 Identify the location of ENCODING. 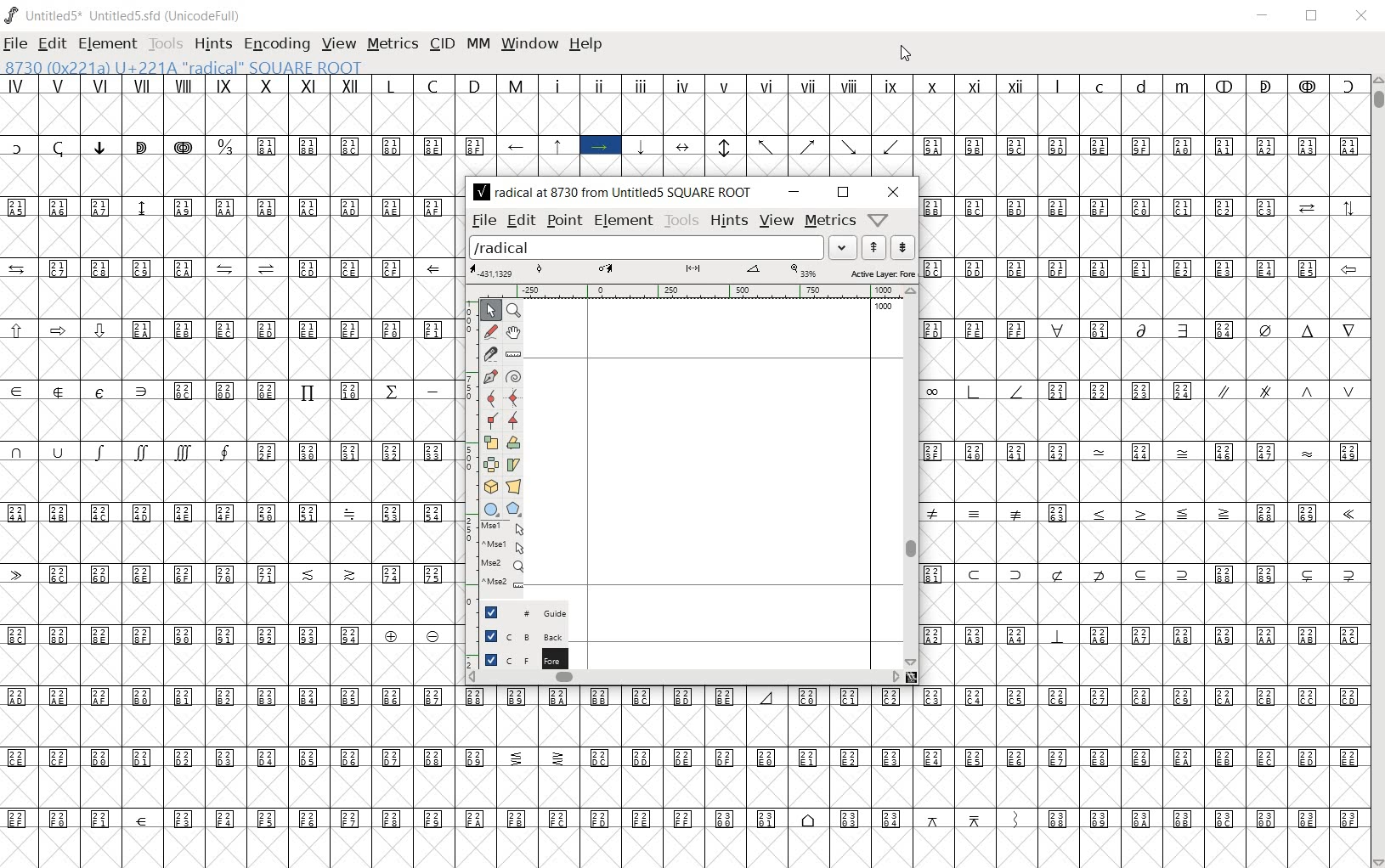
(276, 45).